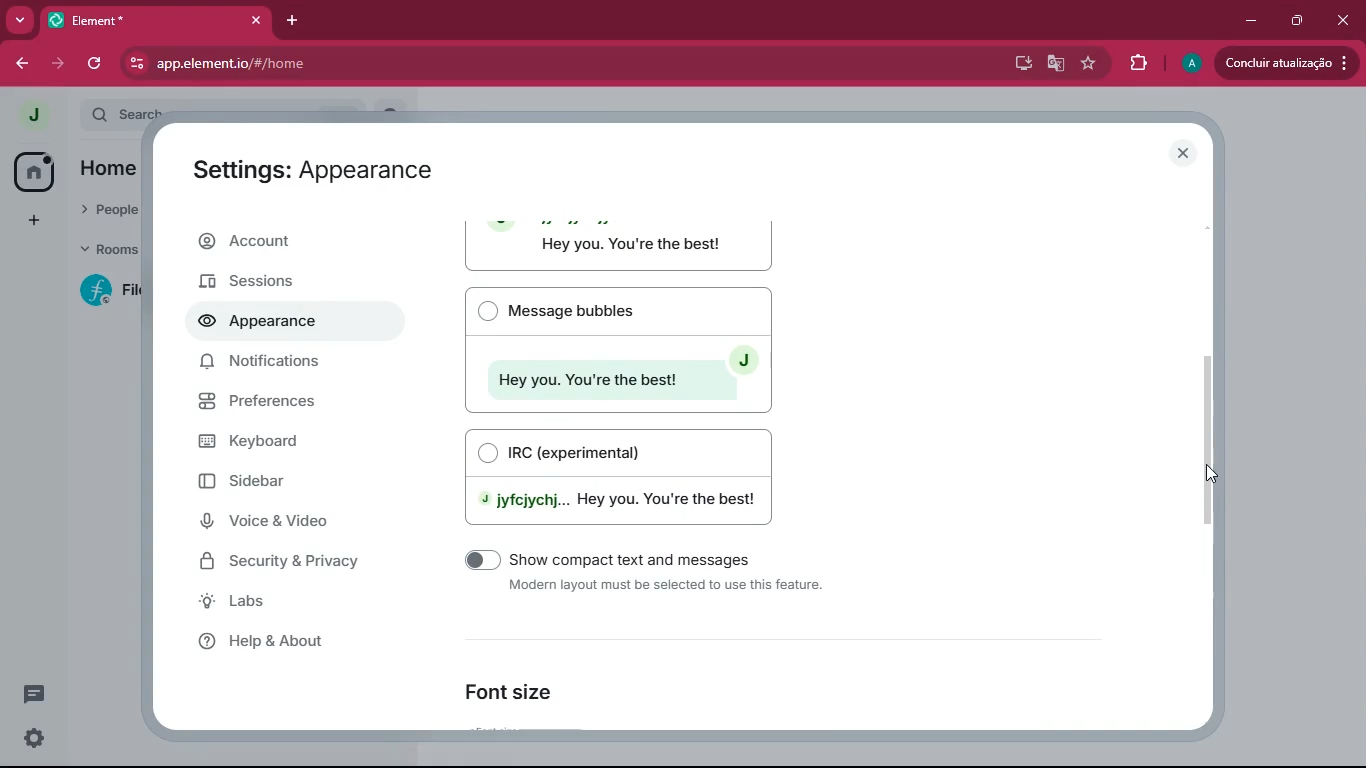 Image resolution: width=1366 pixels, height=768 pixels. What do you see at coordinates (266, 283) in the screenshot?
I see `sessions` at bounding box center [266, 283].